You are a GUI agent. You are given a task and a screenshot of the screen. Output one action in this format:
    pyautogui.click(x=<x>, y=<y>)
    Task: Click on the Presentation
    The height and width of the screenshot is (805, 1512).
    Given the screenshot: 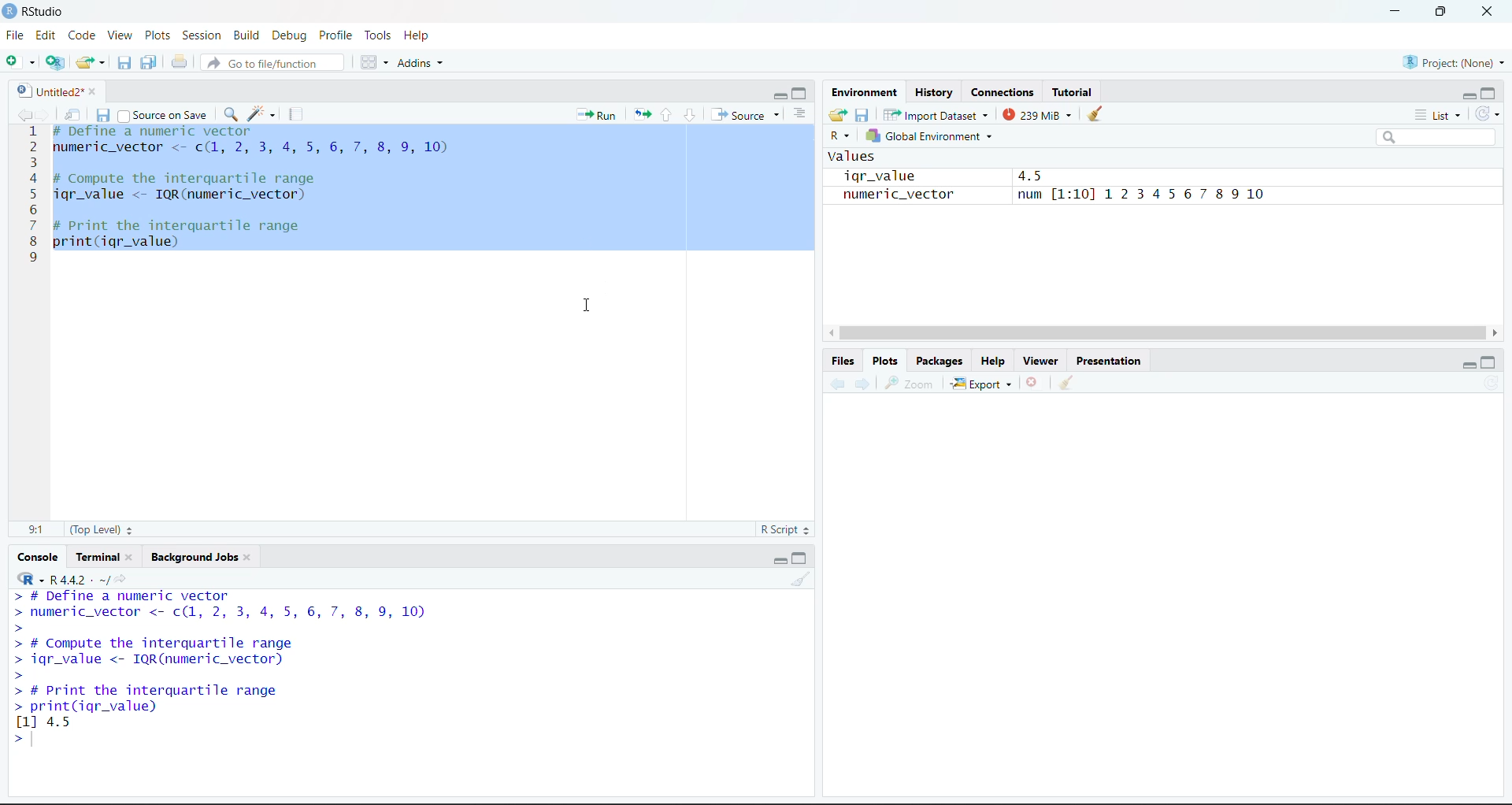 What is the action you would take?
    pyautogui.click(x=1110, y=359)
    